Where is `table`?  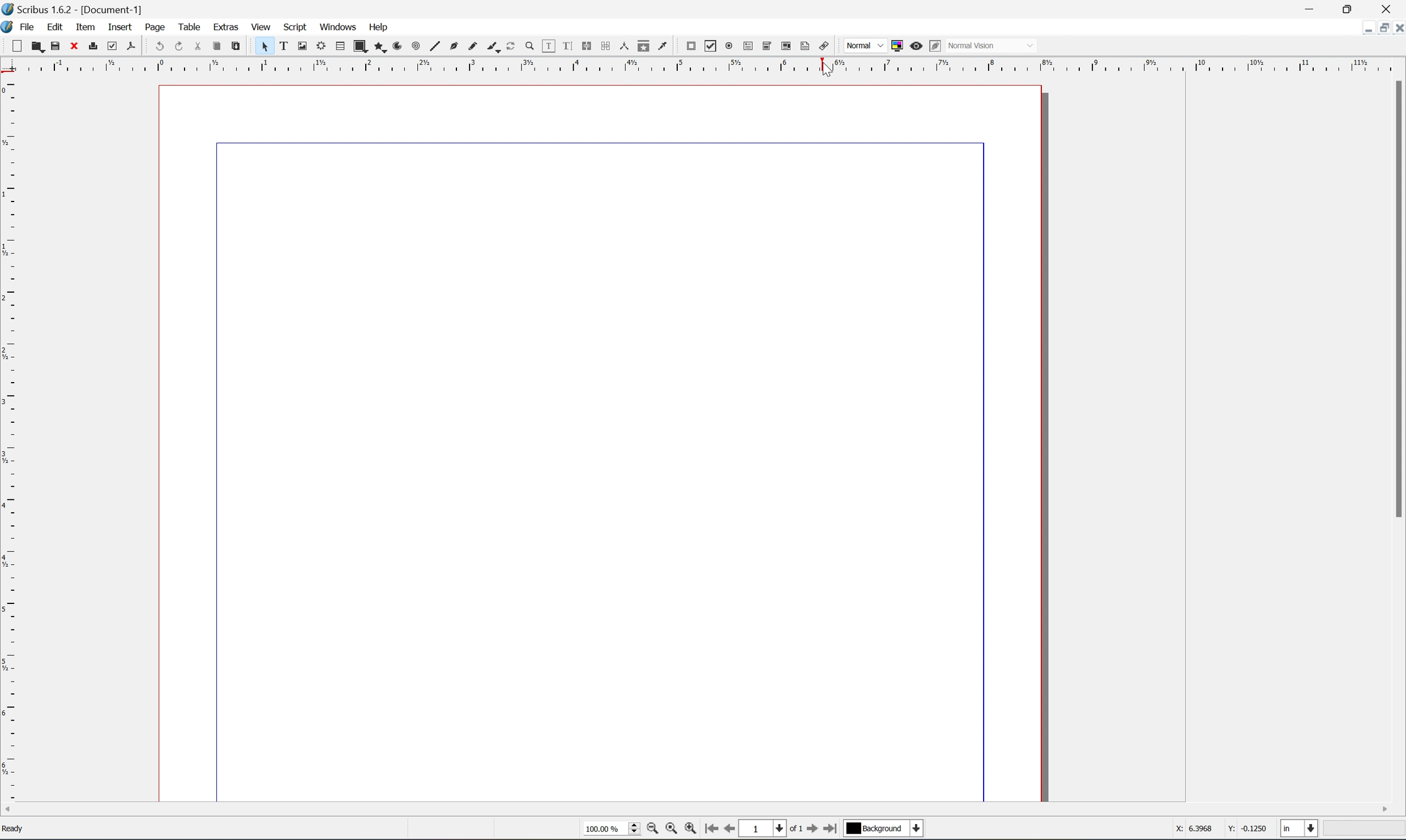 table is located at coordinates (188, 23).